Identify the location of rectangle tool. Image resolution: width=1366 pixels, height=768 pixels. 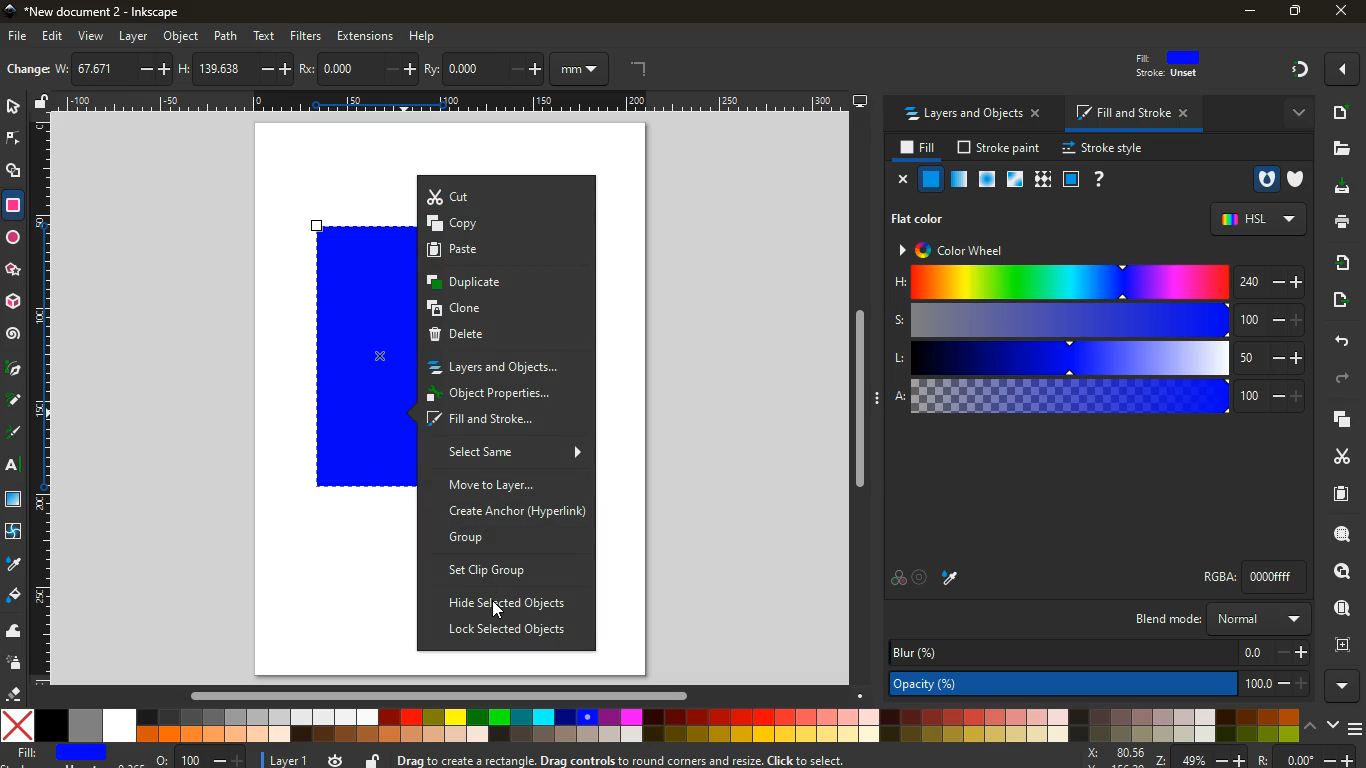
(15, 208).